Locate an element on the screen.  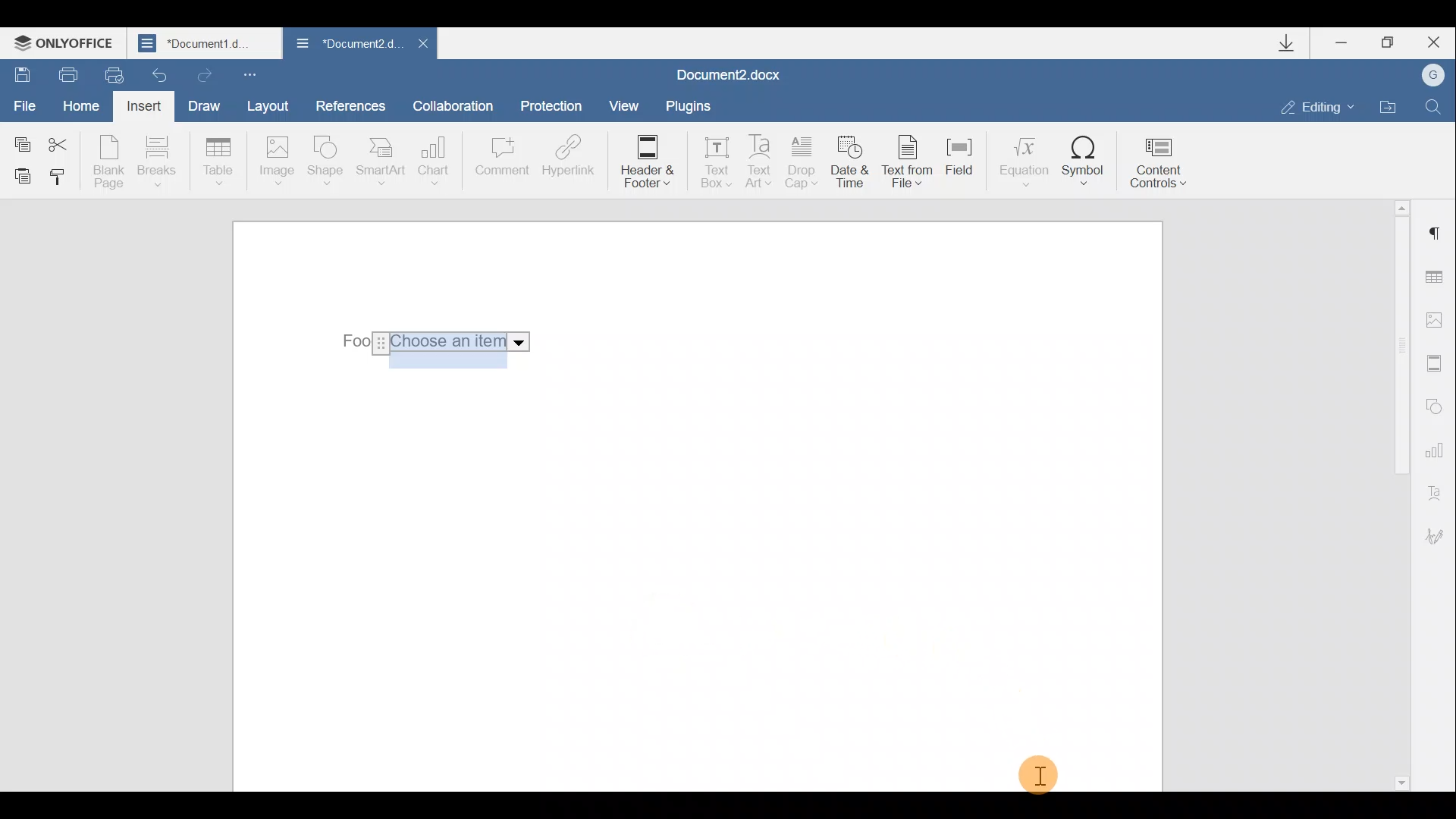
Plugins is located at coordinates (693, 106).